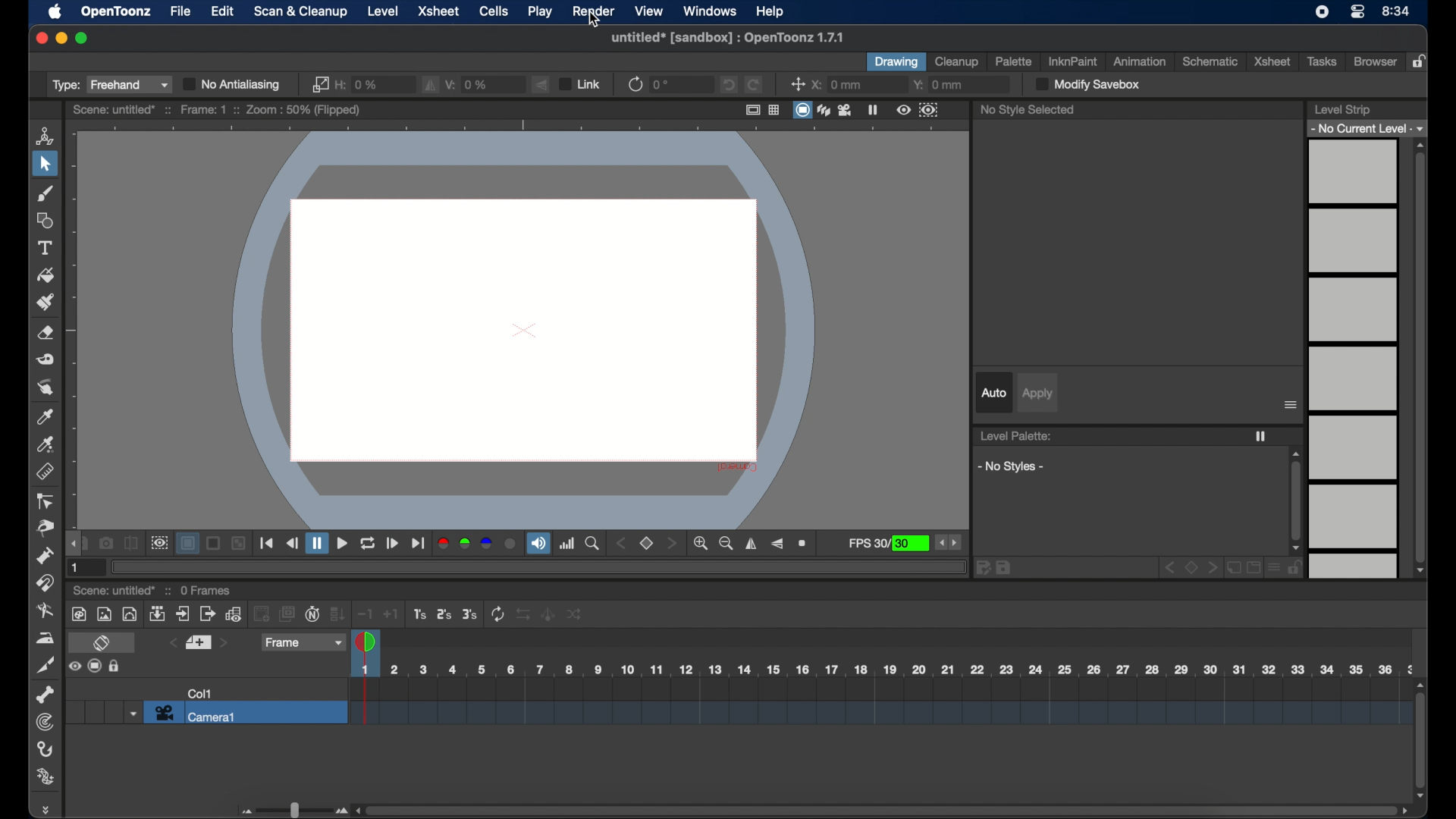 This screenshot has width=1456, height=819. I want to click on zoom, so click(593, 544).